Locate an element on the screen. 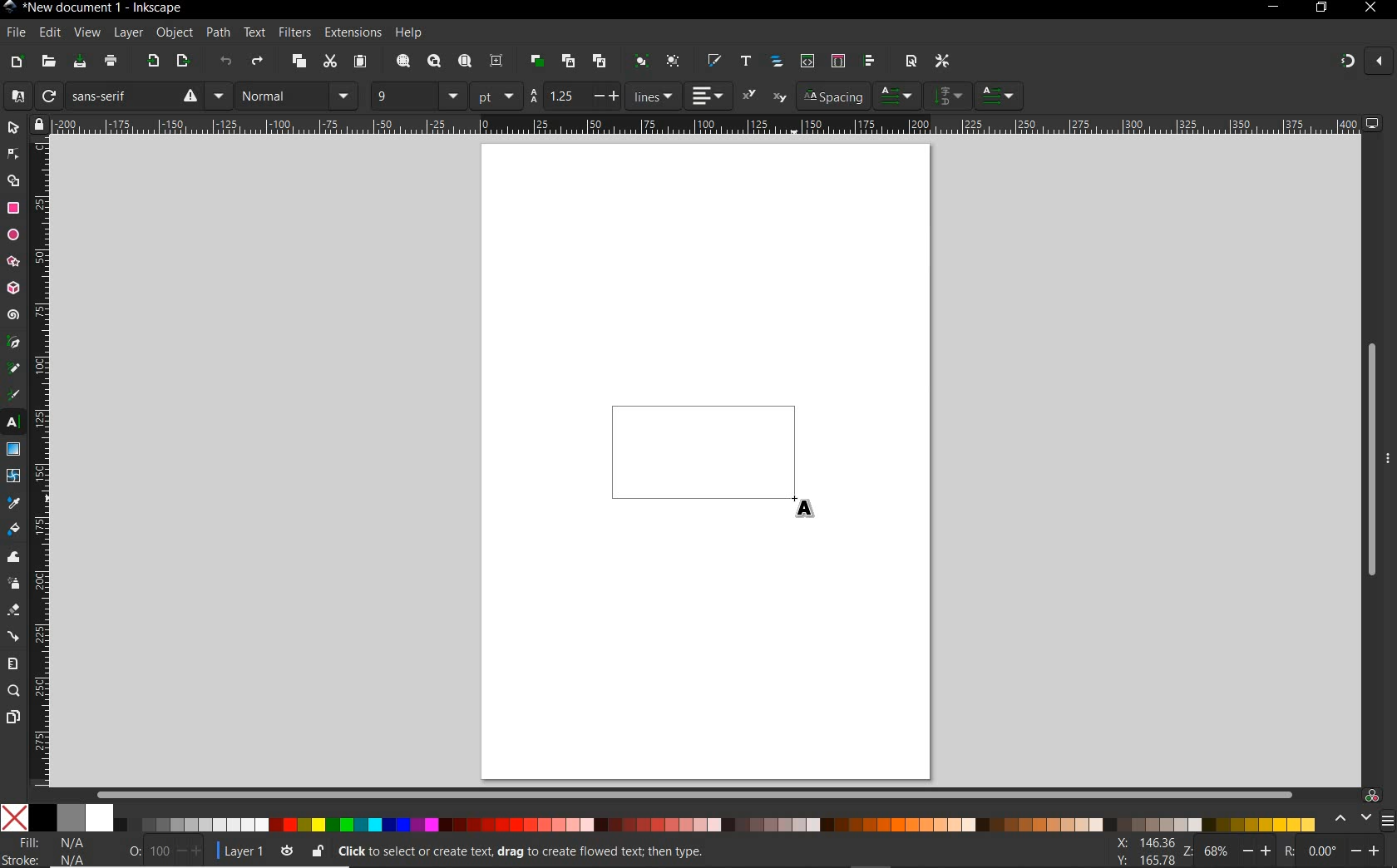  superscript is located at coordinates (750, 95).